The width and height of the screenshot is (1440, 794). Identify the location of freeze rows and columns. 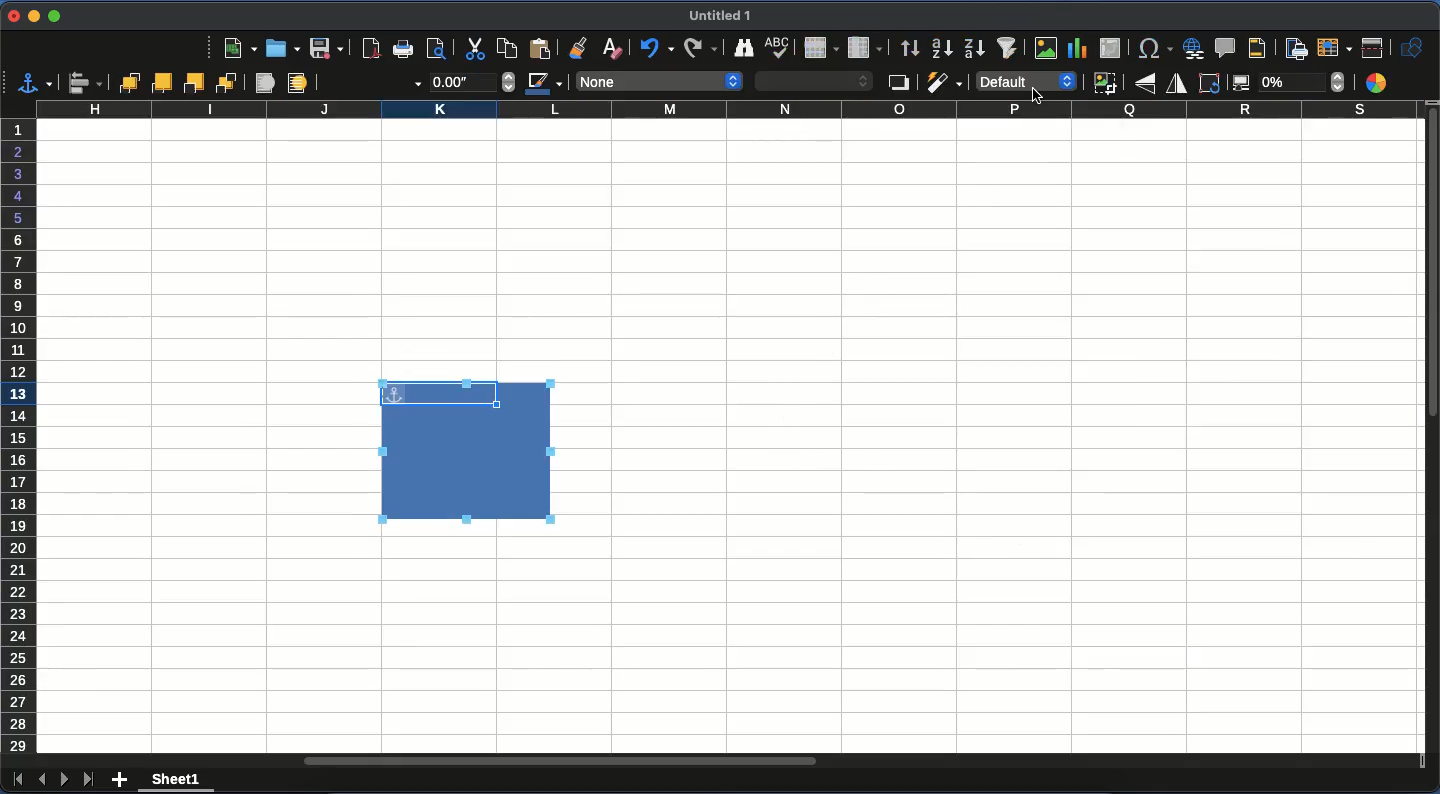
(1334, 47).